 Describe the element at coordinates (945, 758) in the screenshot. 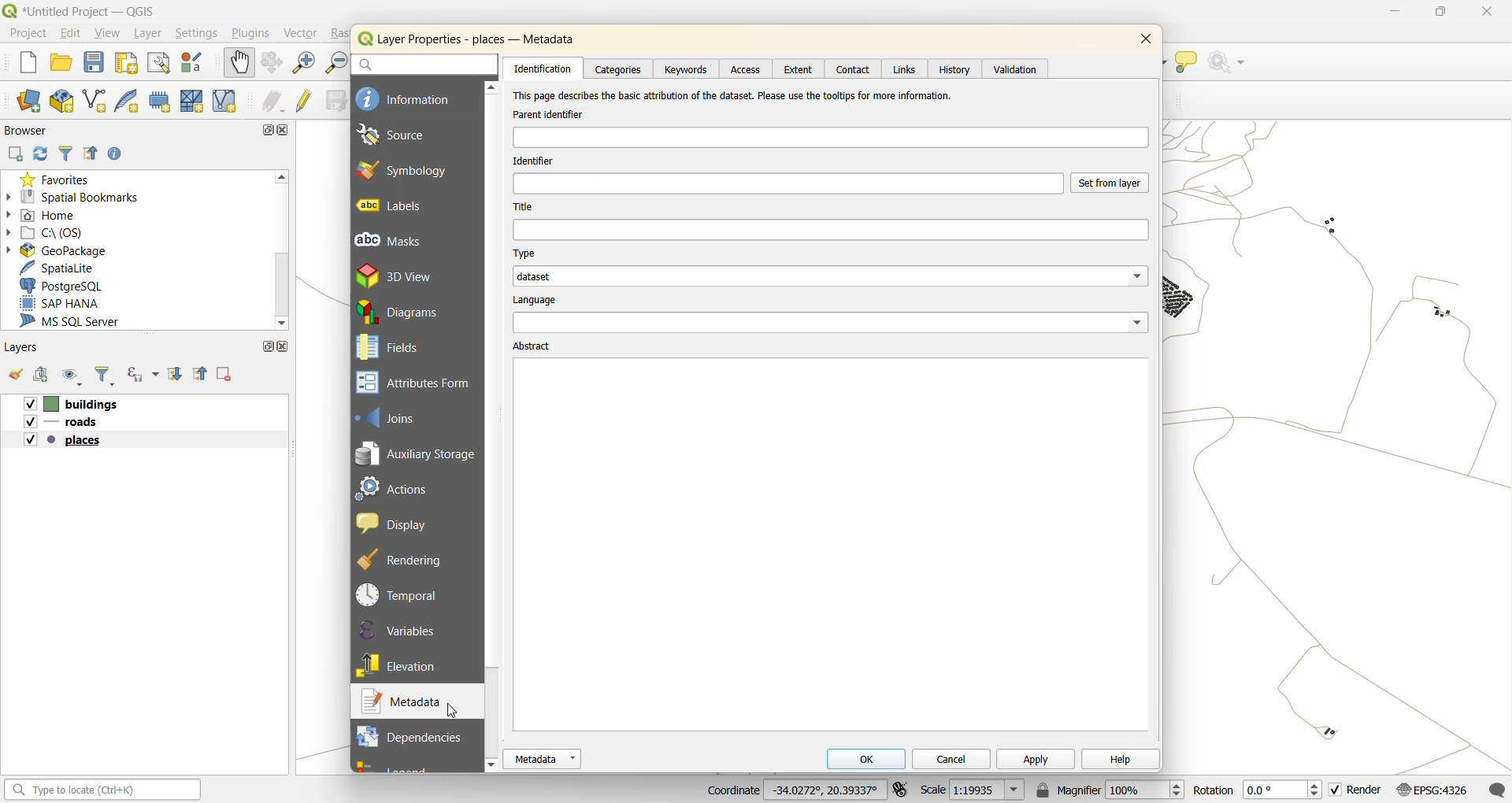

I see `cancel` at that location.